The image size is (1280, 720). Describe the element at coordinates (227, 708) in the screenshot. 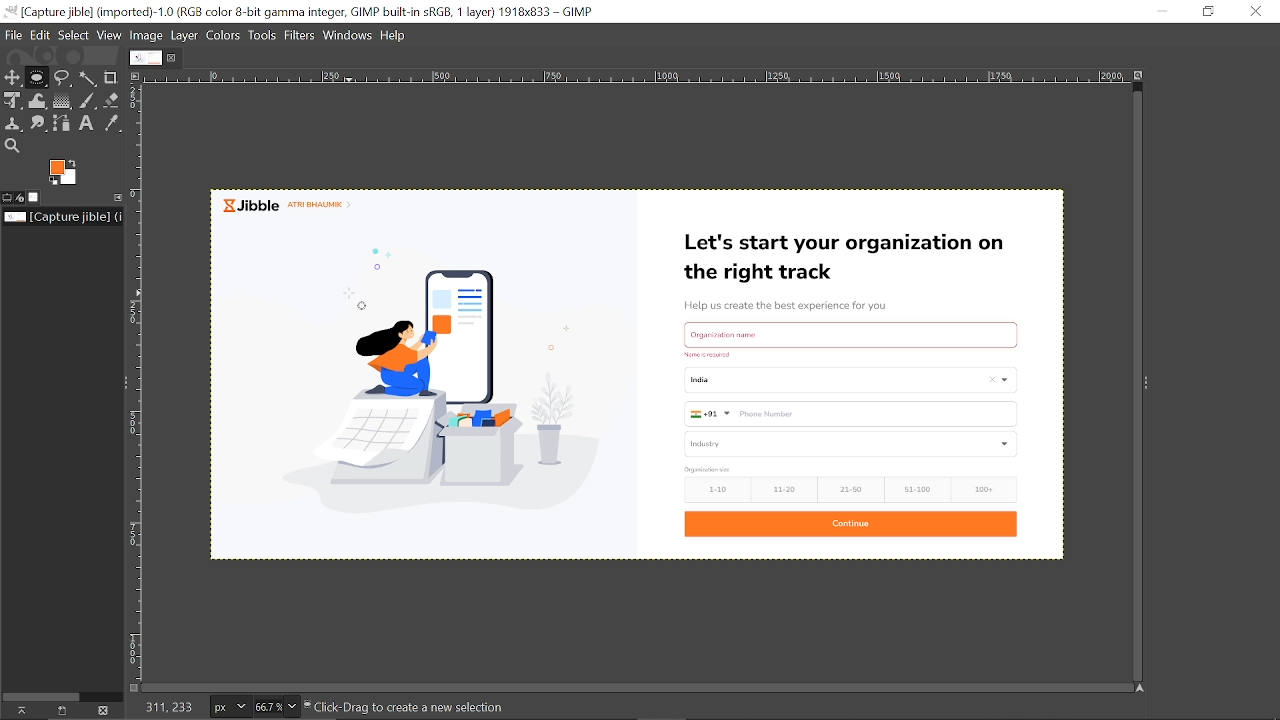

I see `Pixels` at that location.